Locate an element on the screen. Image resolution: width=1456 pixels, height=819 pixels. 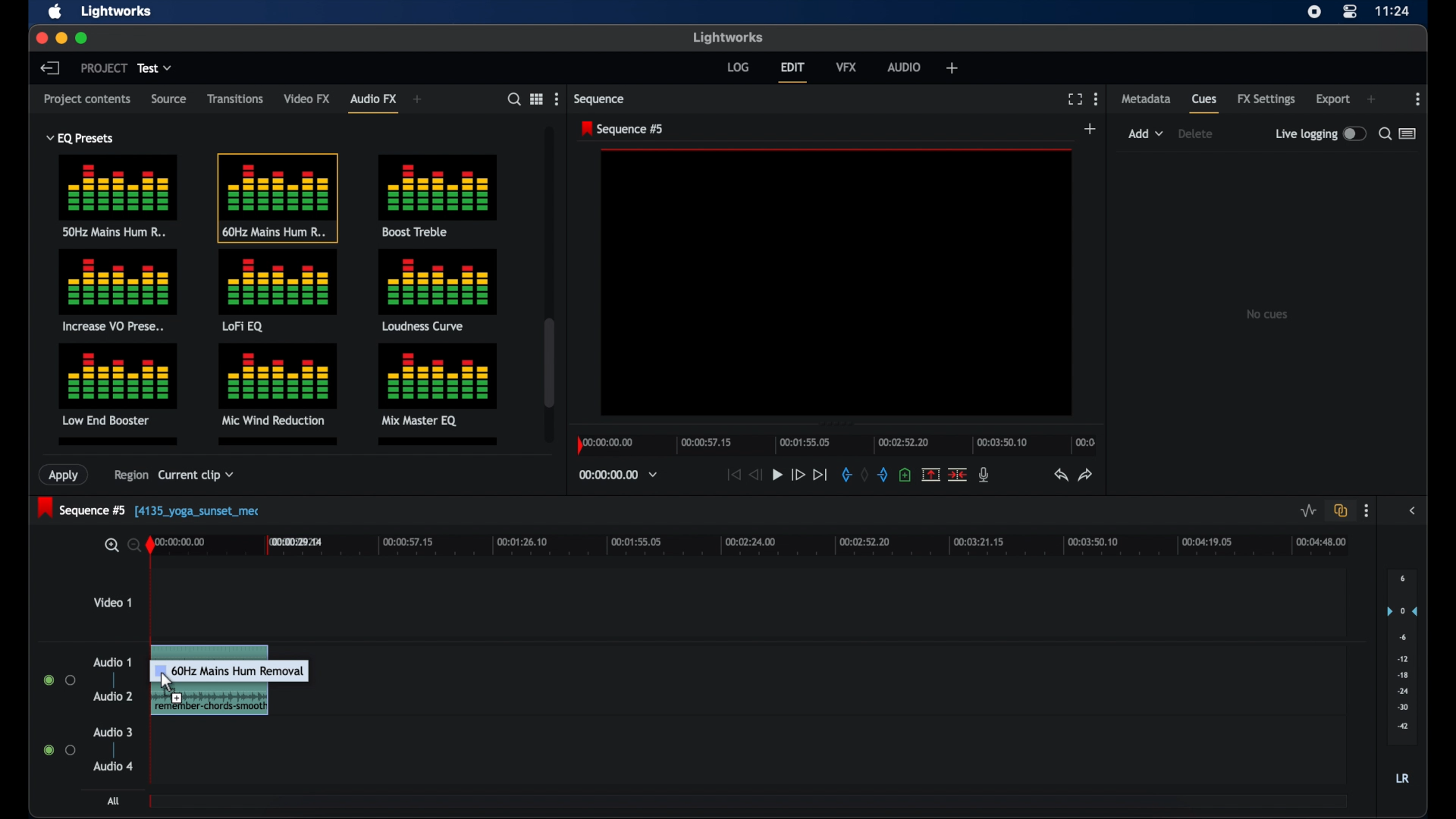
timeline is located at coordinates (834, 443).